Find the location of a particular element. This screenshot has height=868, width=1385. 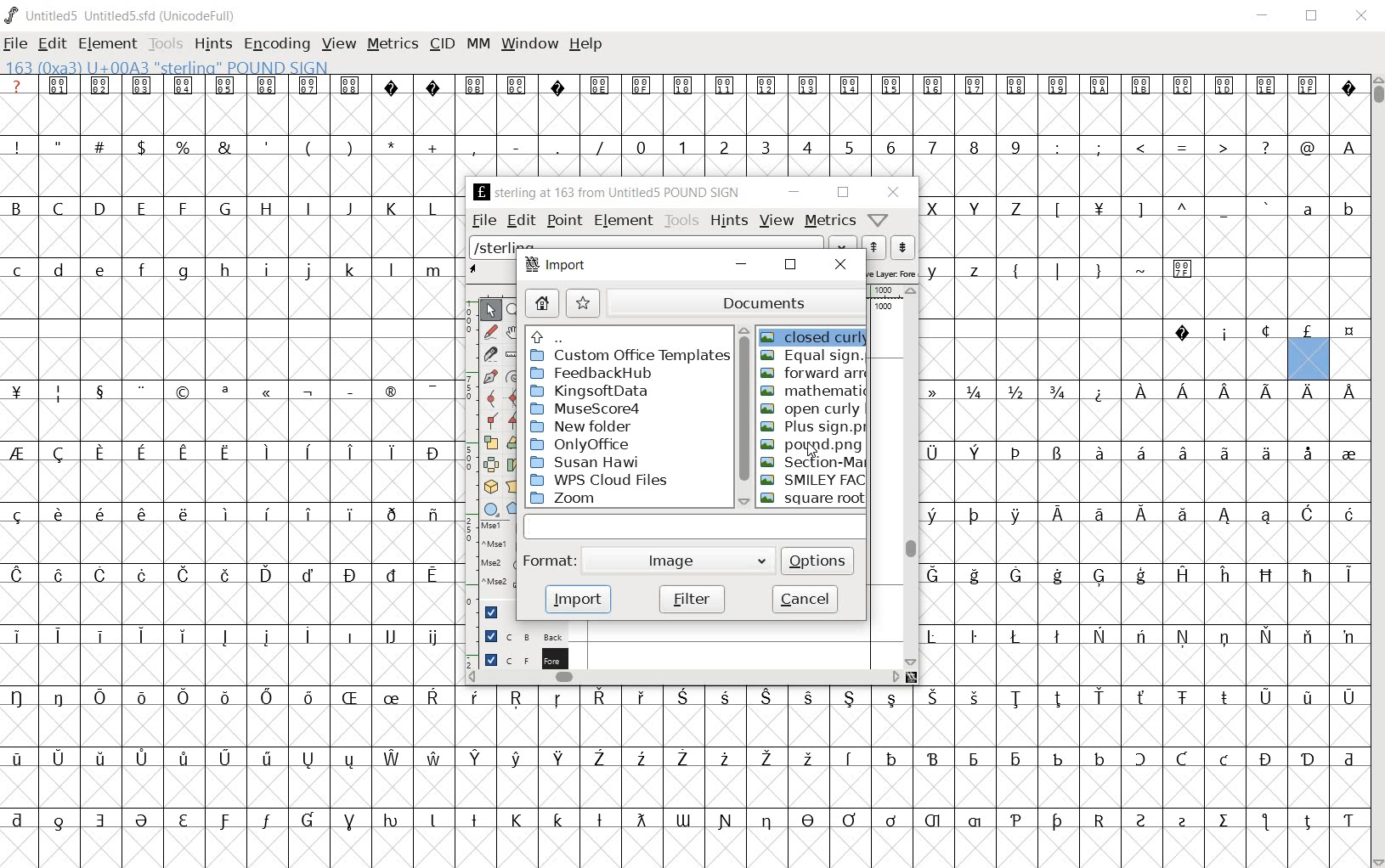

Symbol is located at coordinates (349, 454).